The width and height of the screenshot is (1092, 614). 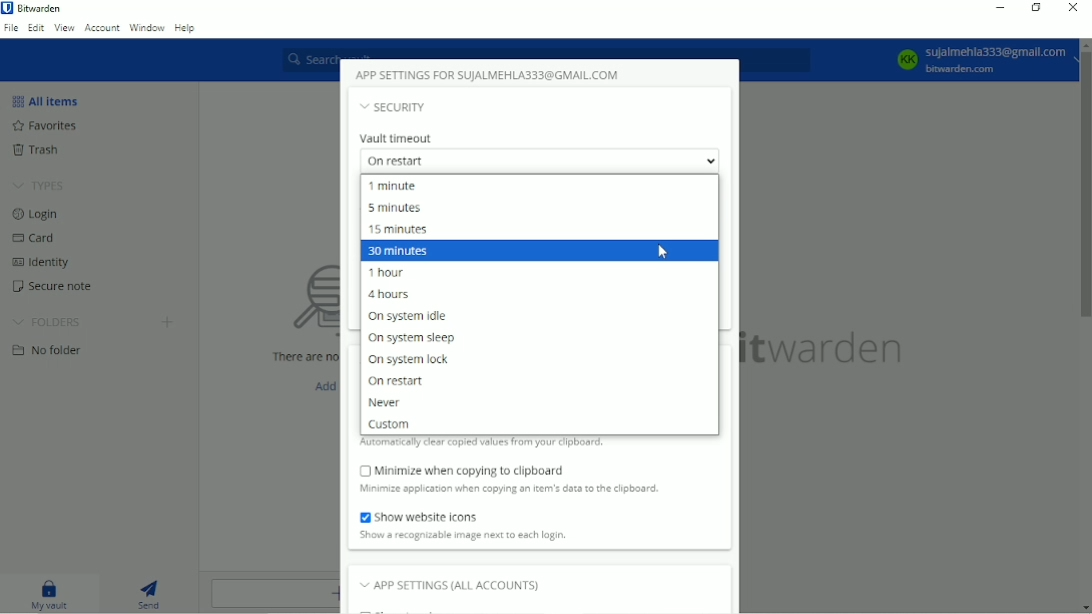 I want to click on Trash, so click(x=39, y=150).